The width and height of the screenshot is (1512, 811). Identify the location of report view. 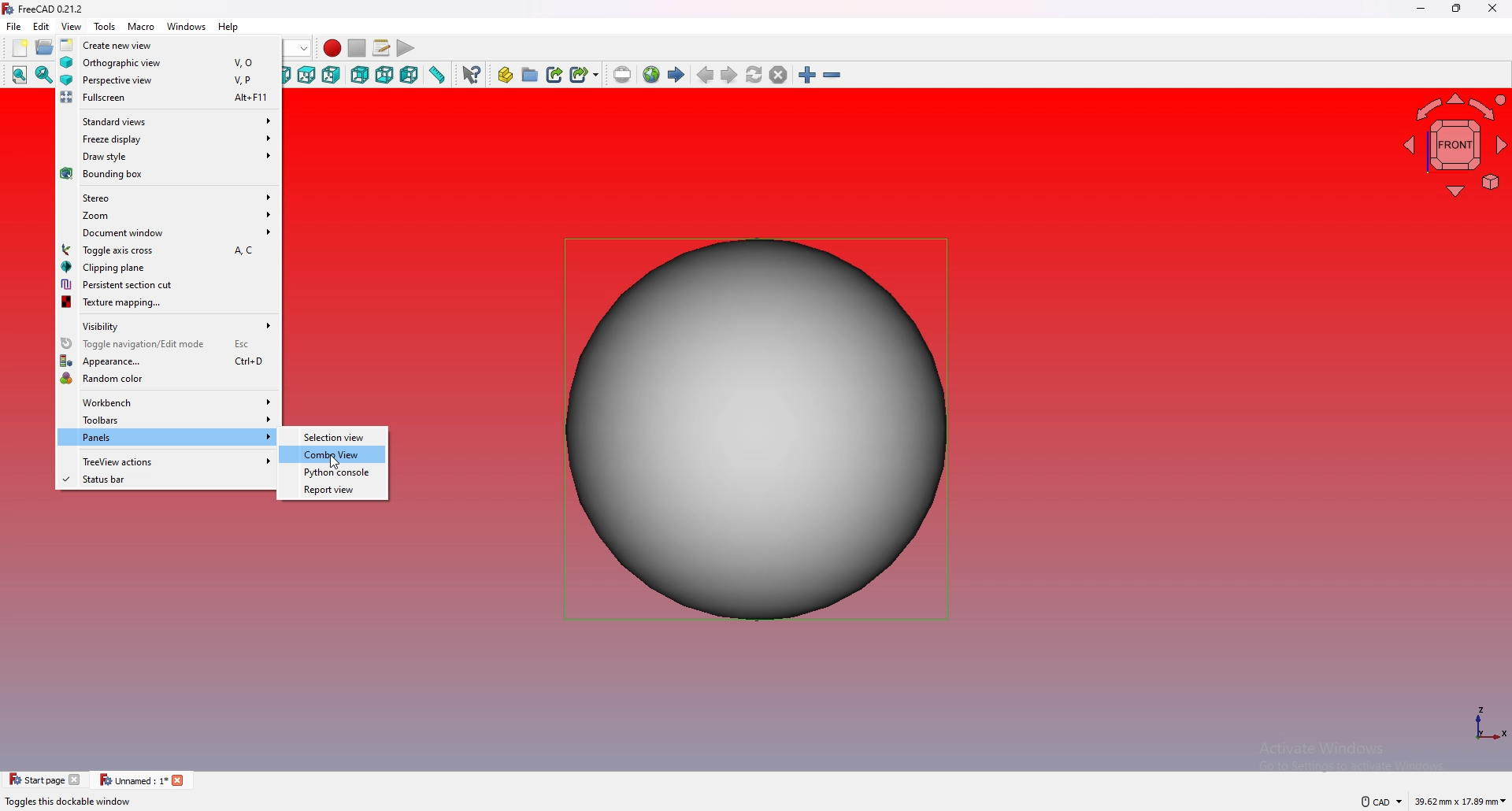
(335, 490).